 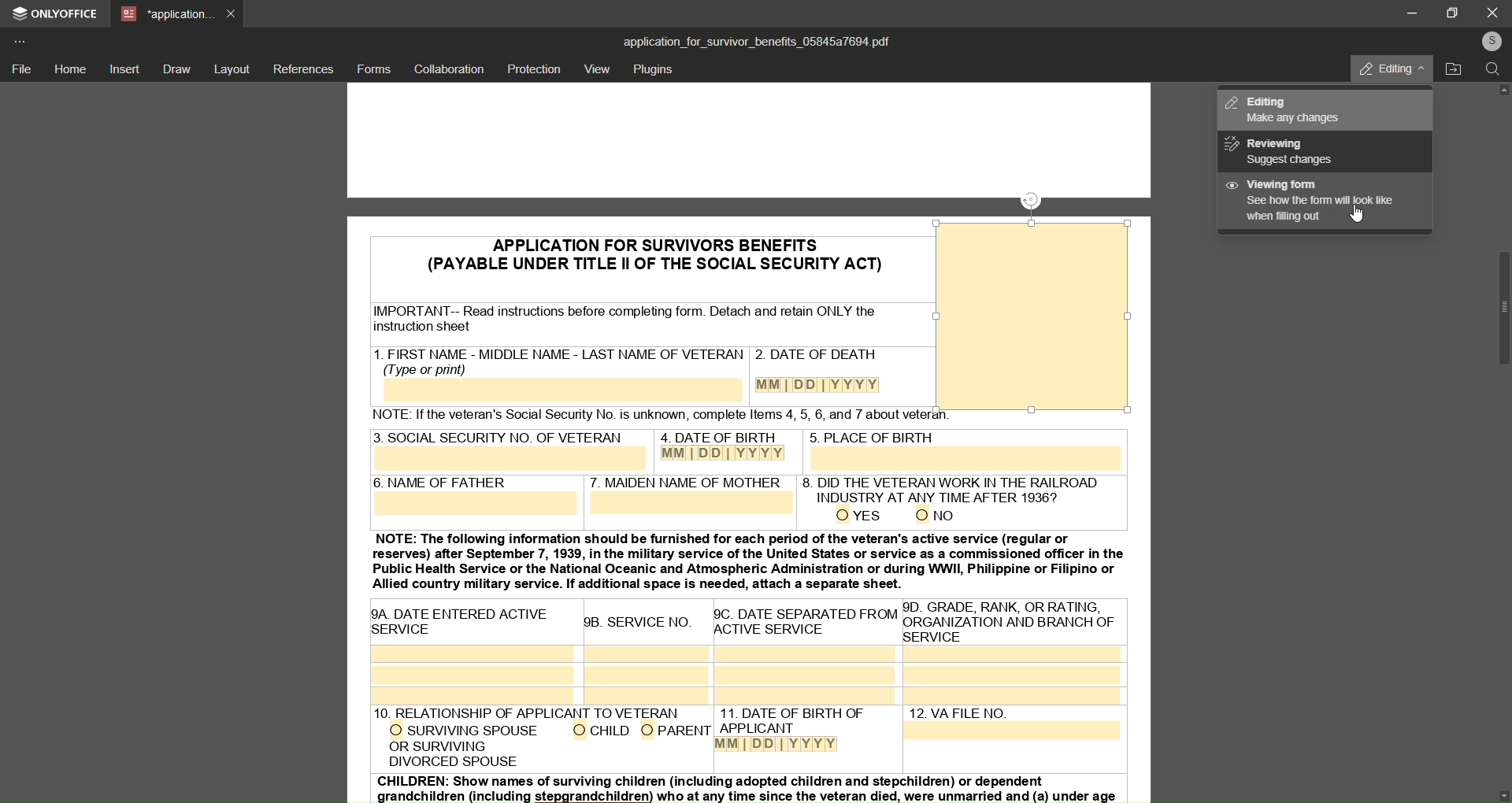 What do you see at coordinates (1033, 150) in the screenshot?
I see `PDF of application for survivors benefits` at bounding box center [1033, 150].